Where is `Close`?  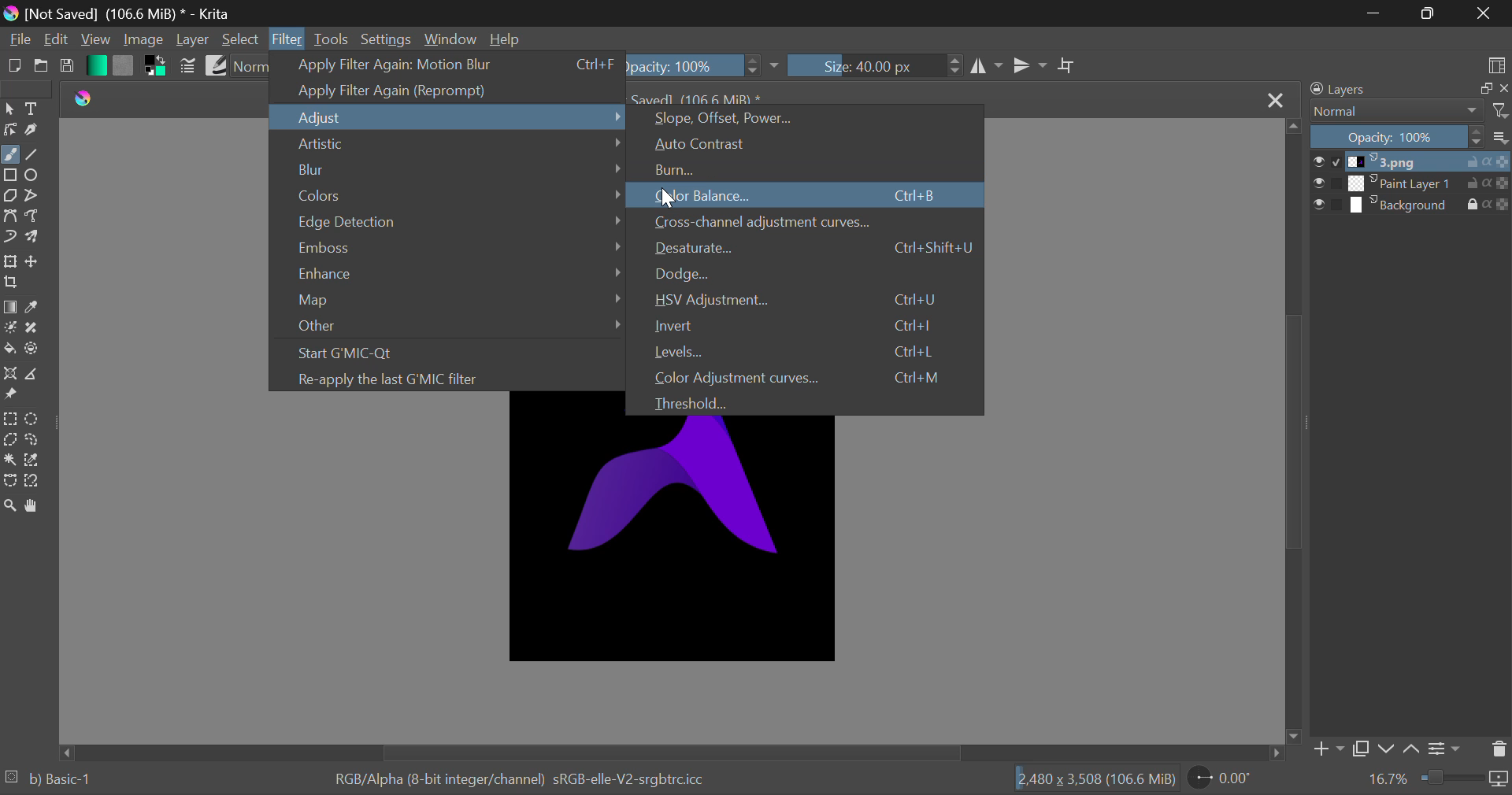 Close is located at coordinates (1482, 13).